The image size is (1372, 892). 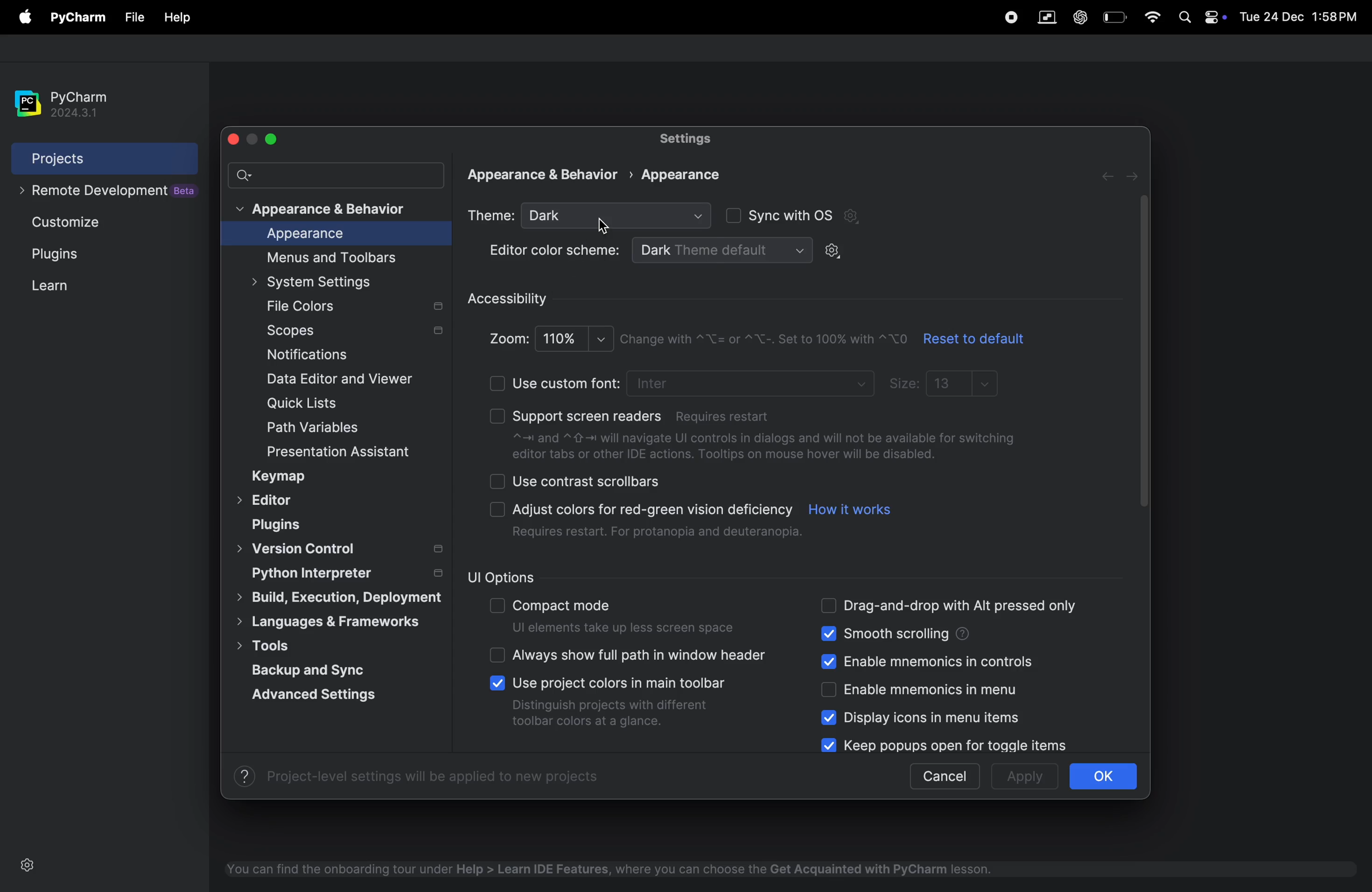 I want to click on Use project colors in main toolbar, so click(x=599, y=681).